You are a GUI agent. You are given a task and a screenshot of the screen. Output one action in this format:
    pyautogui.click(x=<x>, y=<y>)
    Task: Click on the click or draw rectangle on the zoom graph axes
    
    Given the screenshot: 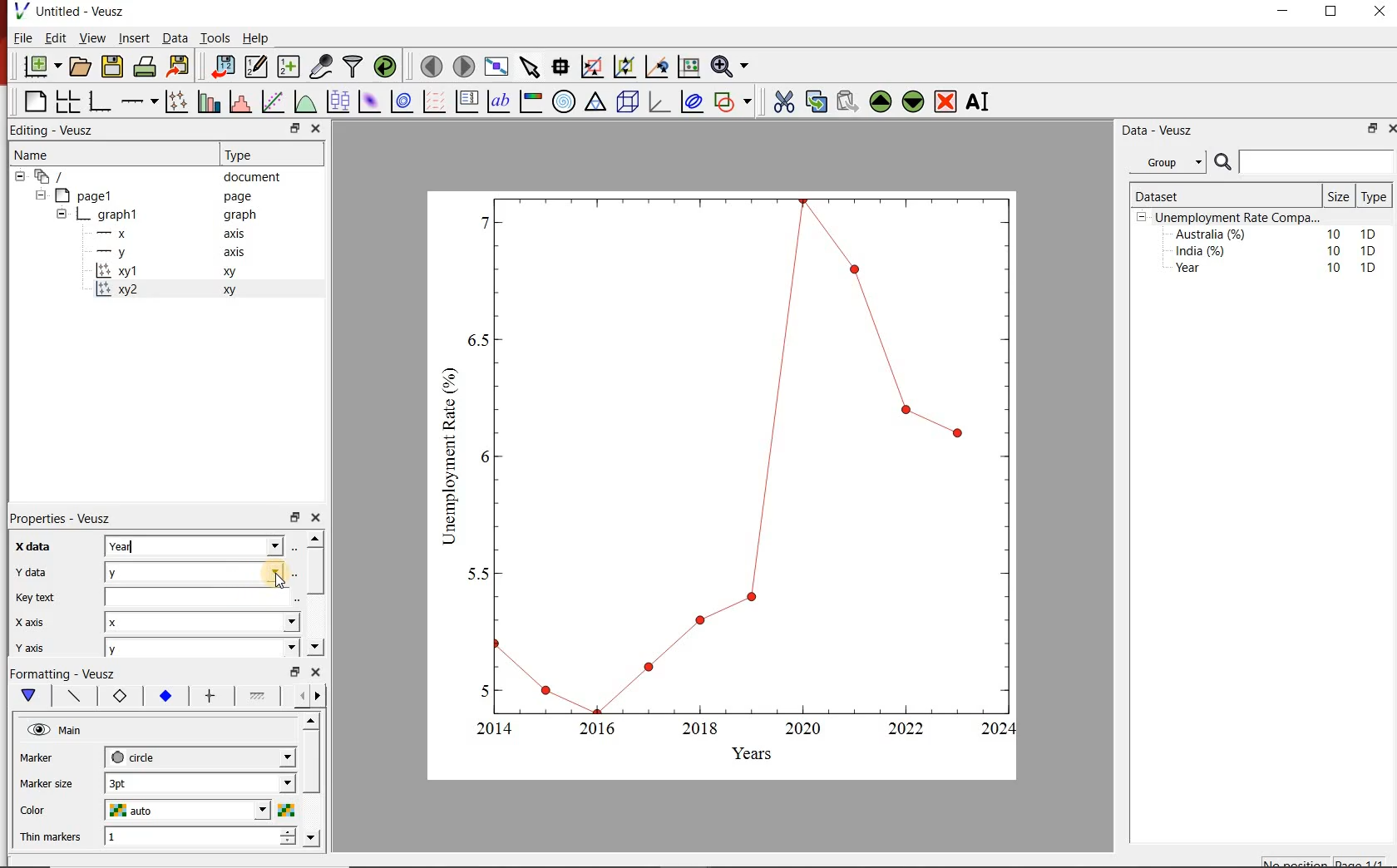 What is the action you would take?
    pyautogui.click(x=593, y=67)
    